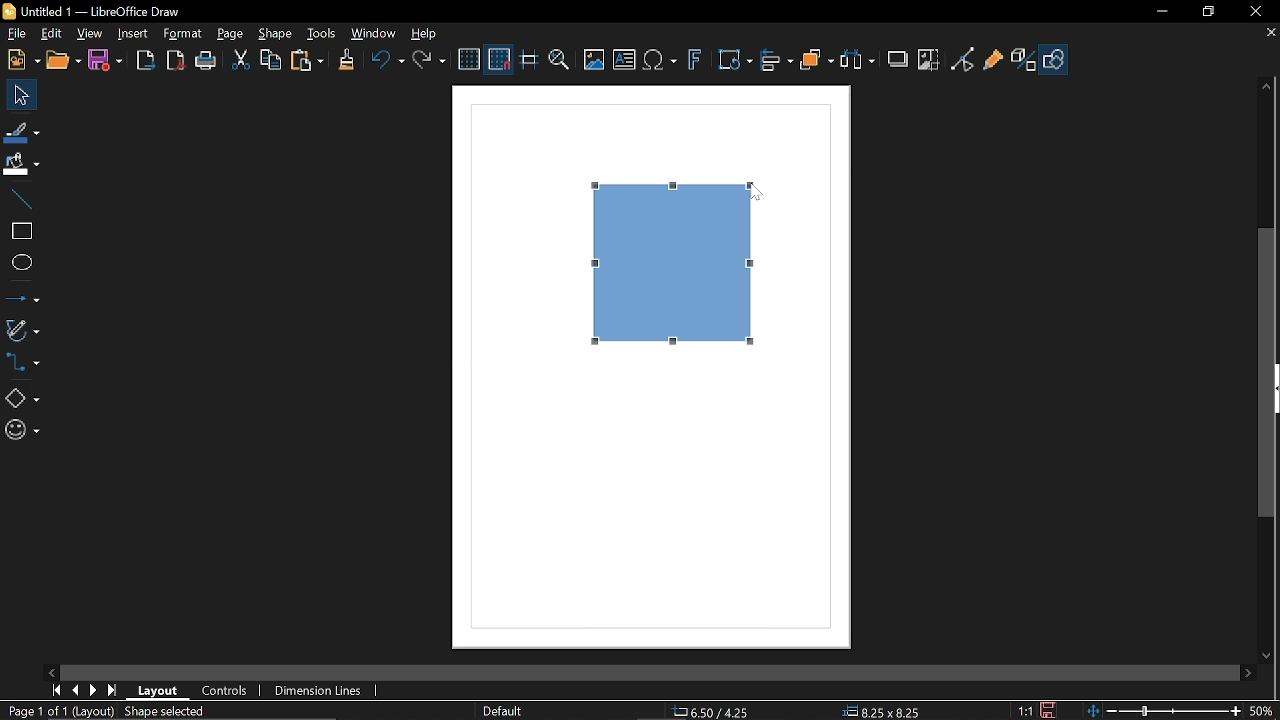 The image size is (1280, 720). I want to click on Shape, so click(274, 36).